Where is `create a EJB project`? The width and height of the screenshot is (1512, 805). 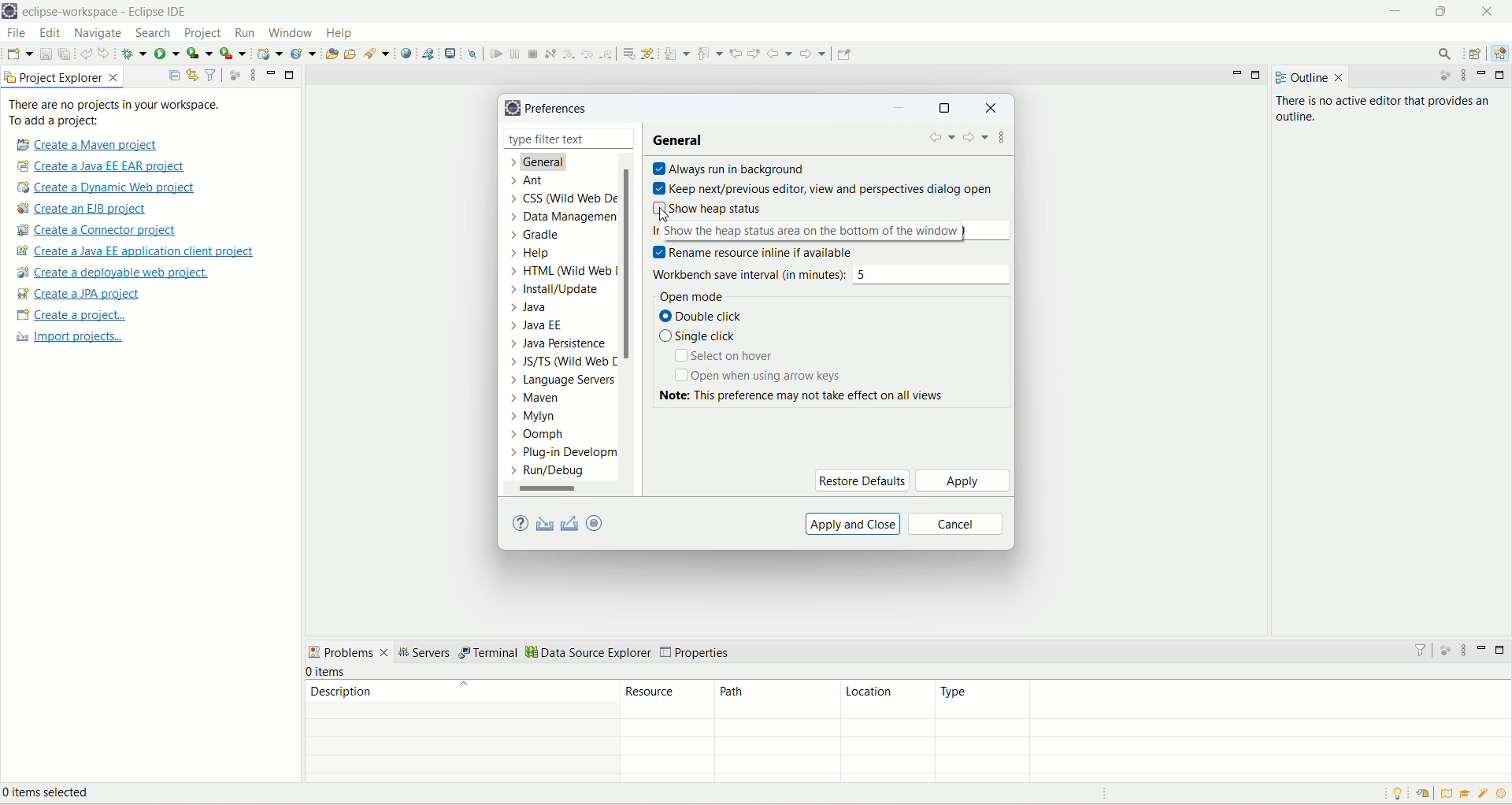
create a EJB project is located at coordinates (92, 209).